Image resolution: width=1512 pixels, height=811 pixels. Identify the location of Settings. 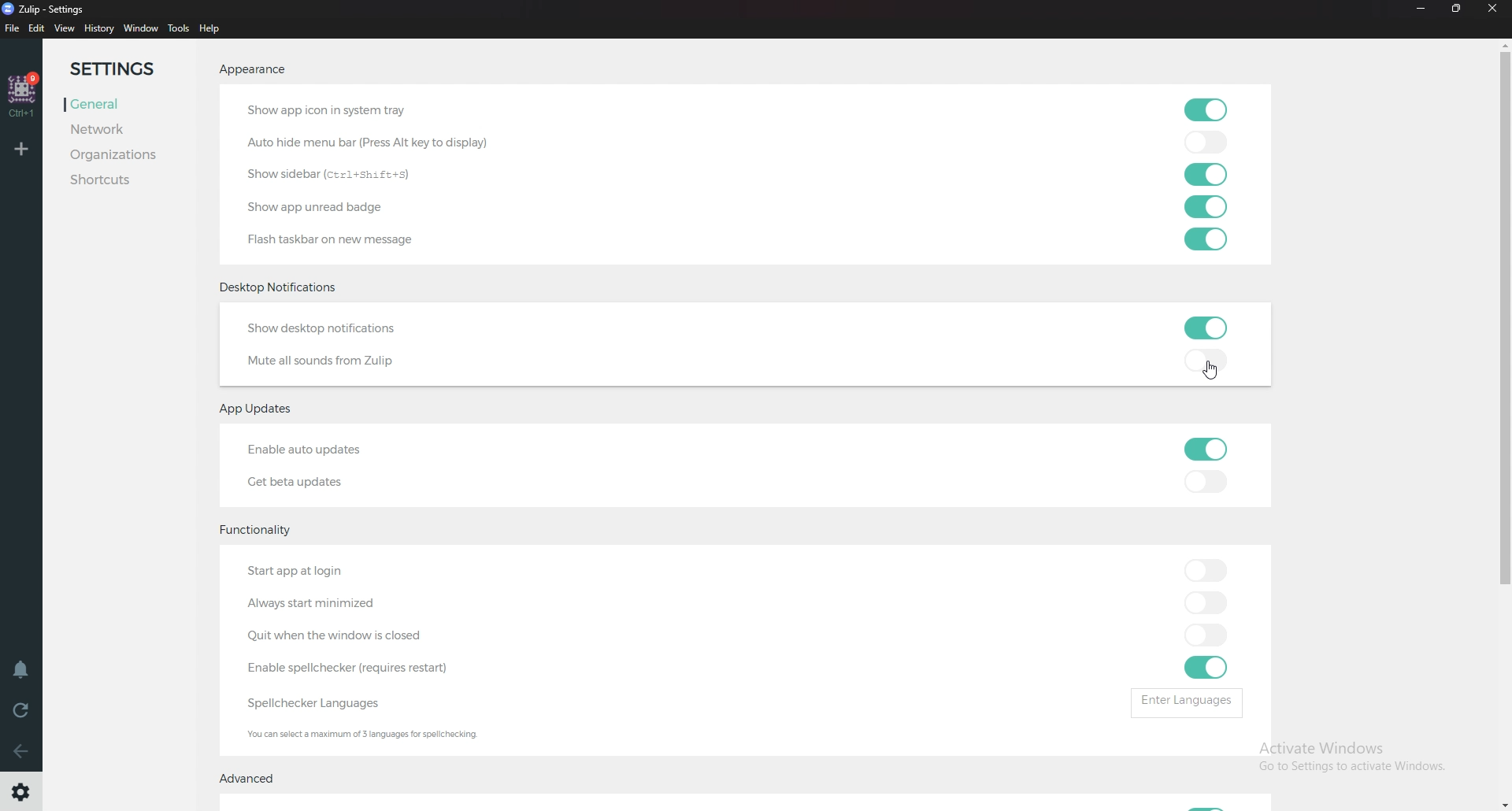
(20, 795).